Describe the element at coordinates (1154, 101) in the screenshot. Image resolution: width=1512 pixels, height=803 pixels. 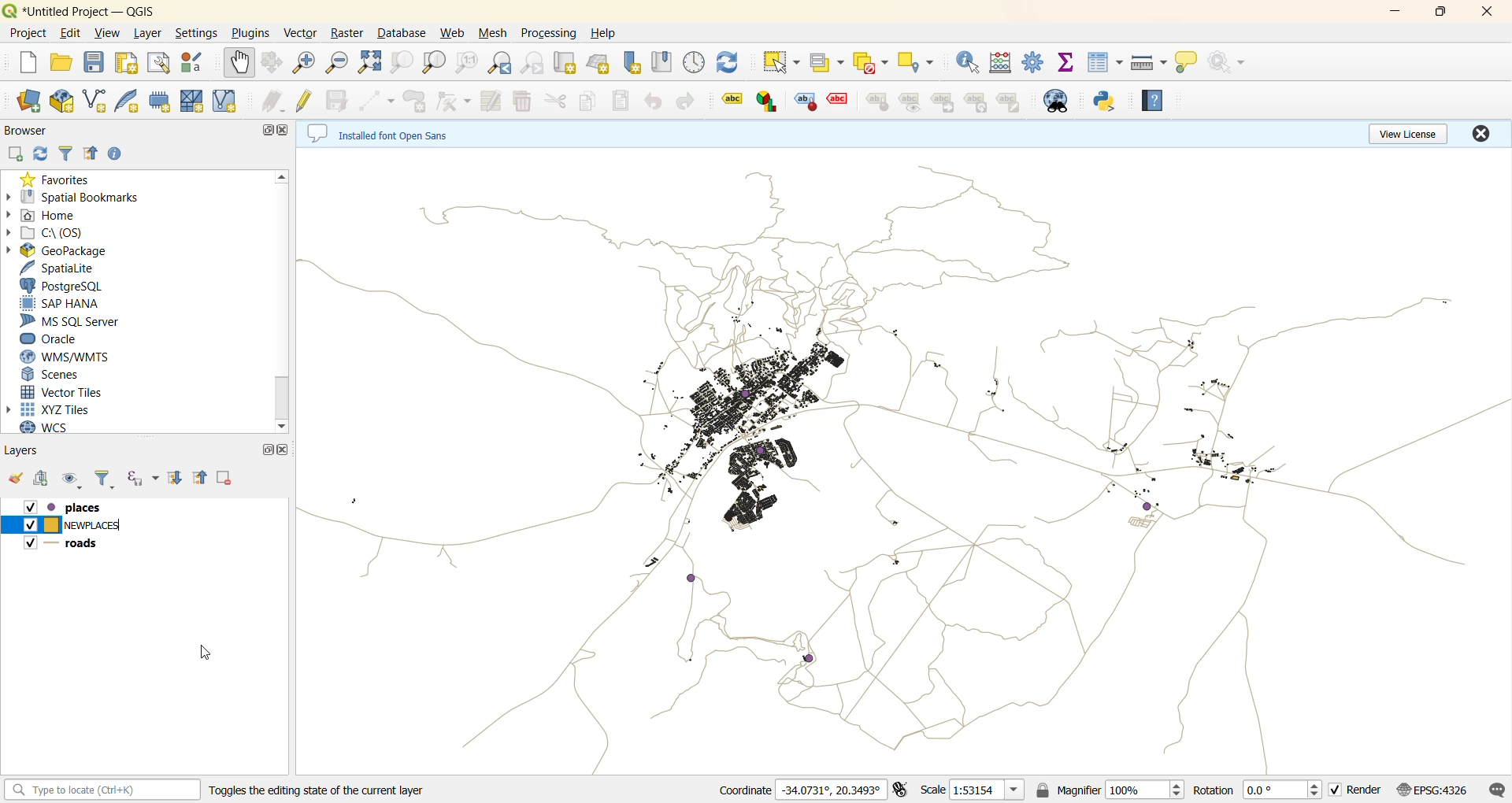
I see `help` at that location.